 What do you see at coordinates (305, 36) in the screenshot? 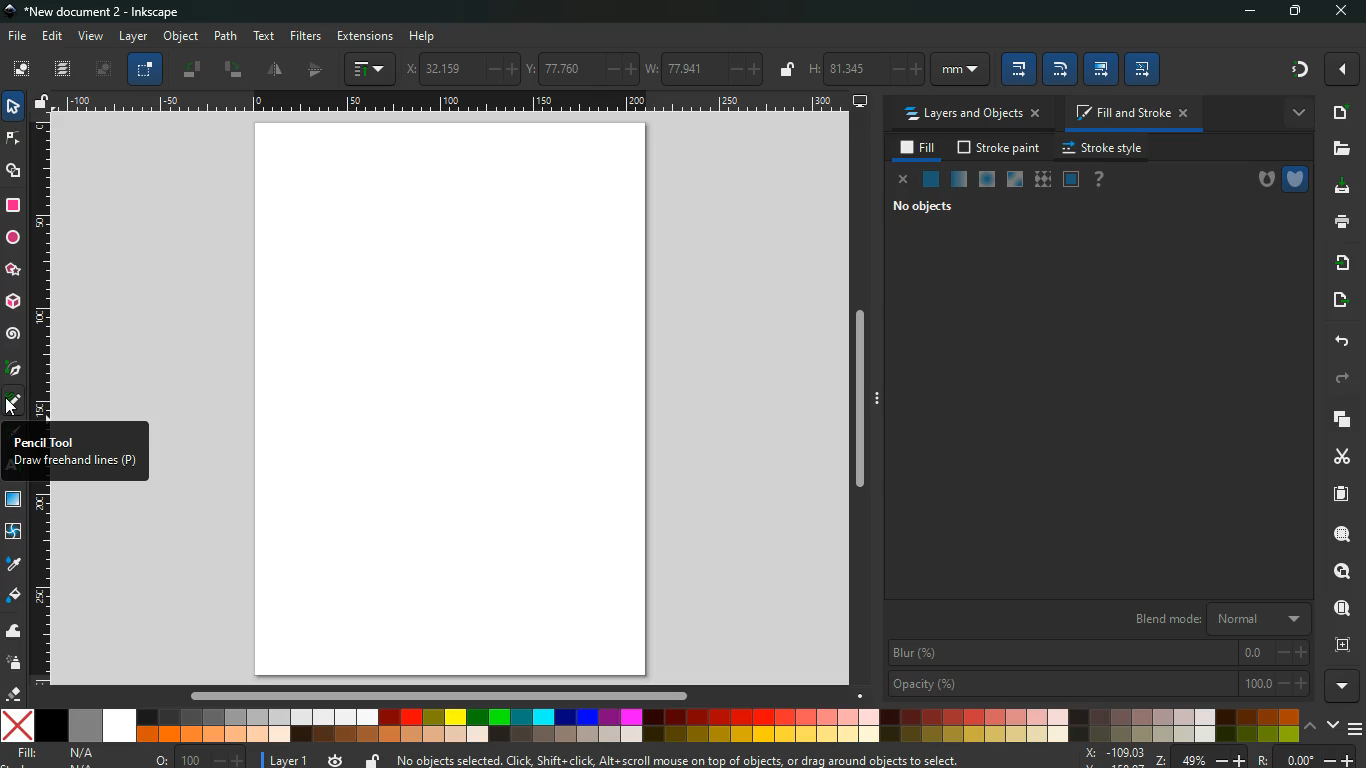
I see `filters` at bounding box center [305, 36].